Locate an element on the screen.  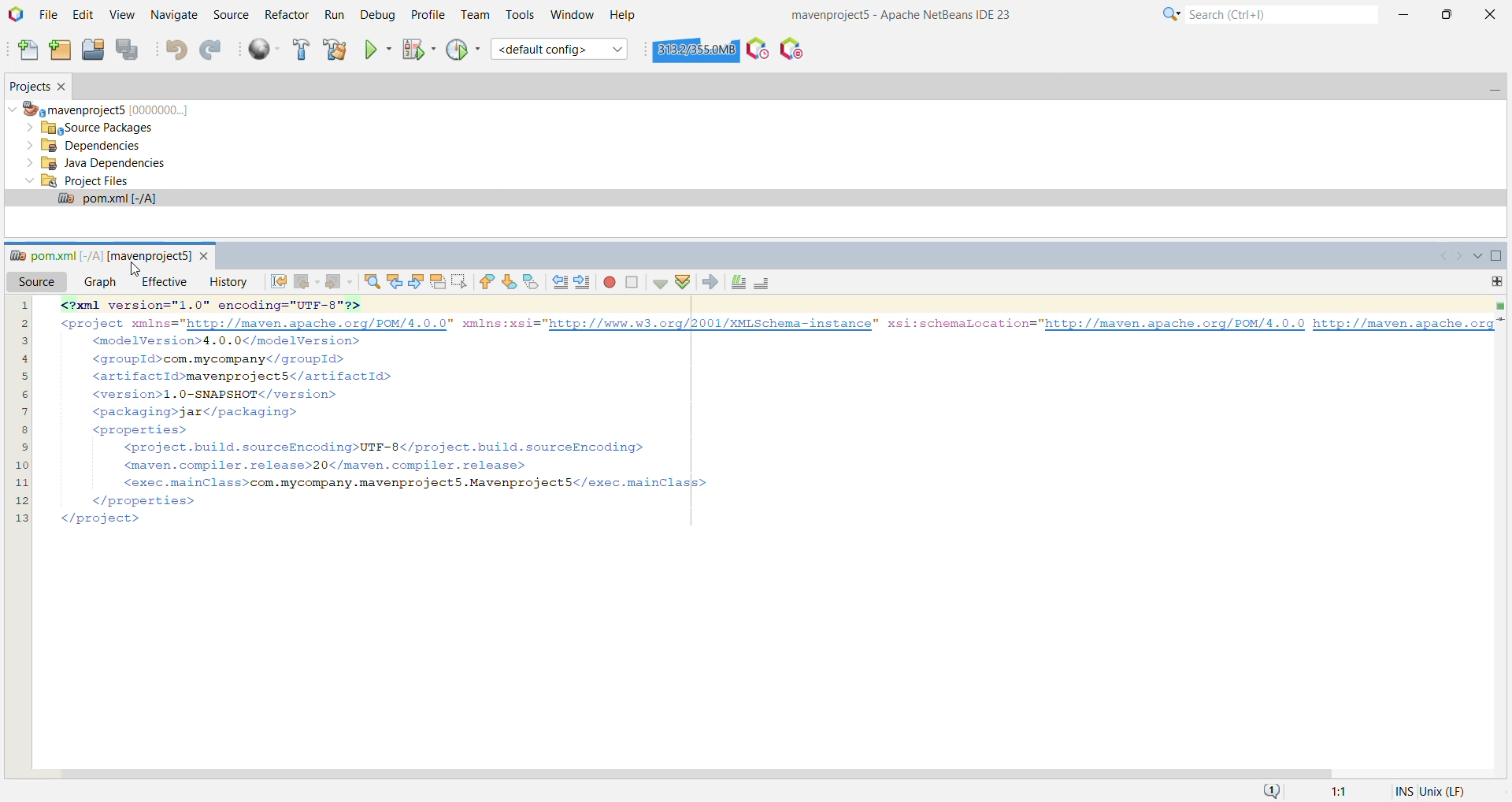
Maximize Window is located at coordinates (1498, 257).